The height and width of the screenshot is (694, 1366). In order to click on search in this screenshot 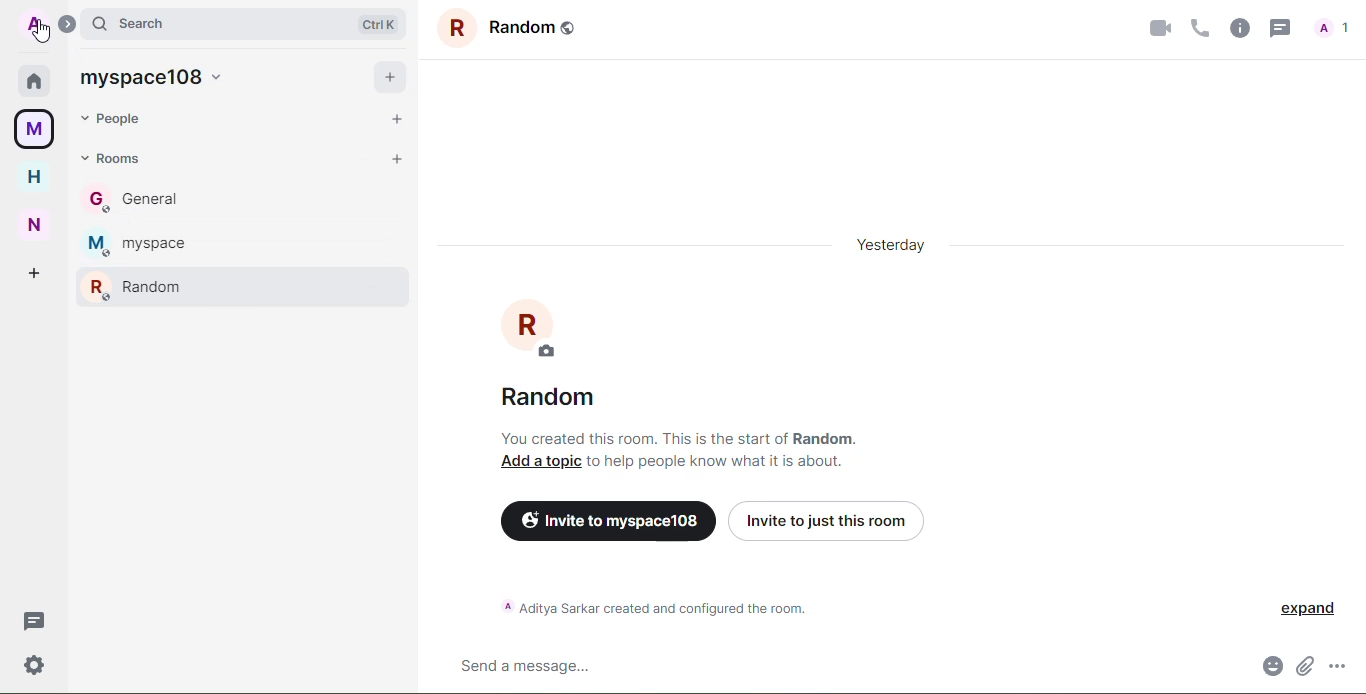, I will do `click(138, 22)`.